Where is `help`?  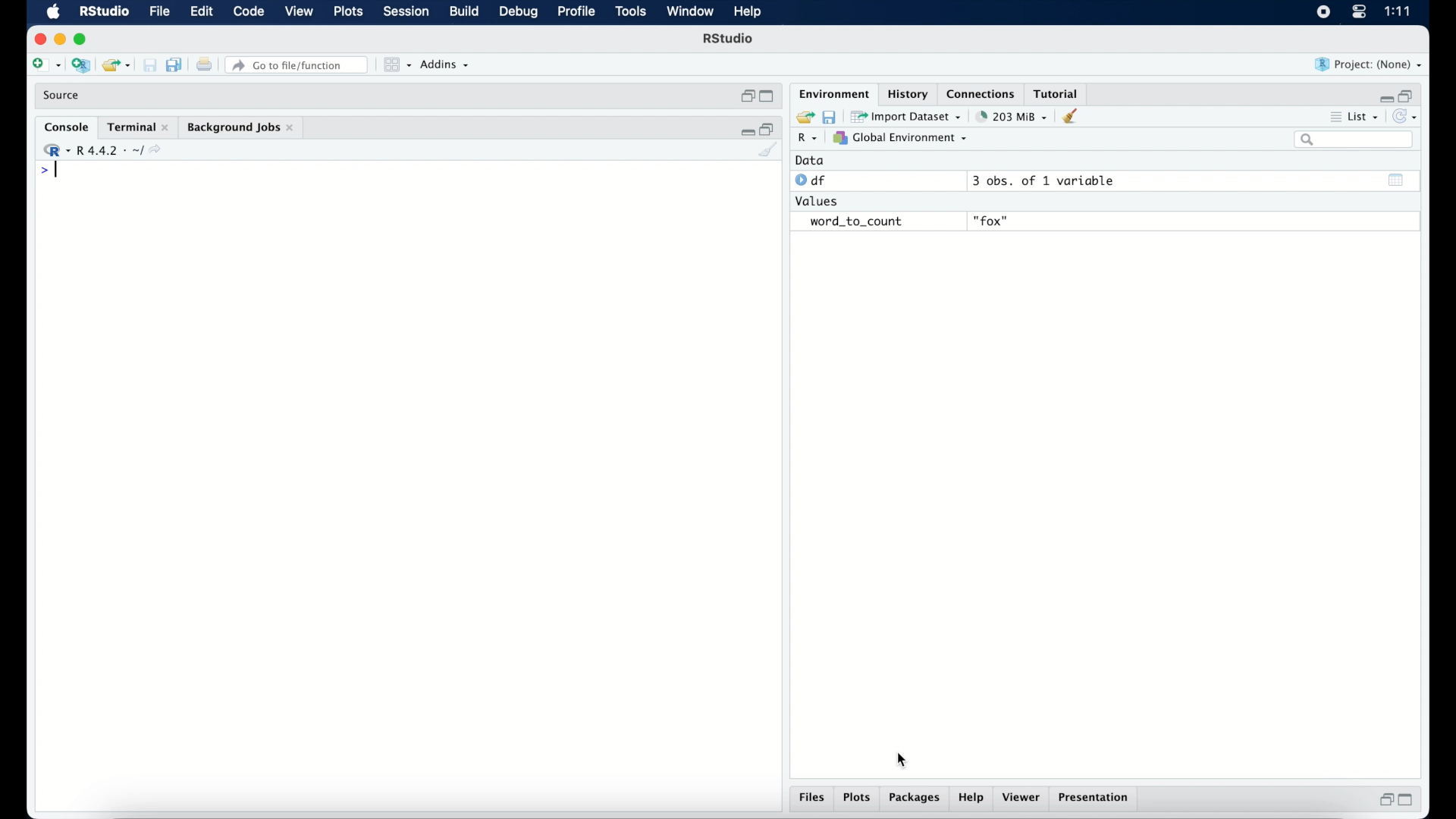
help is located at coordinates (750, 13).